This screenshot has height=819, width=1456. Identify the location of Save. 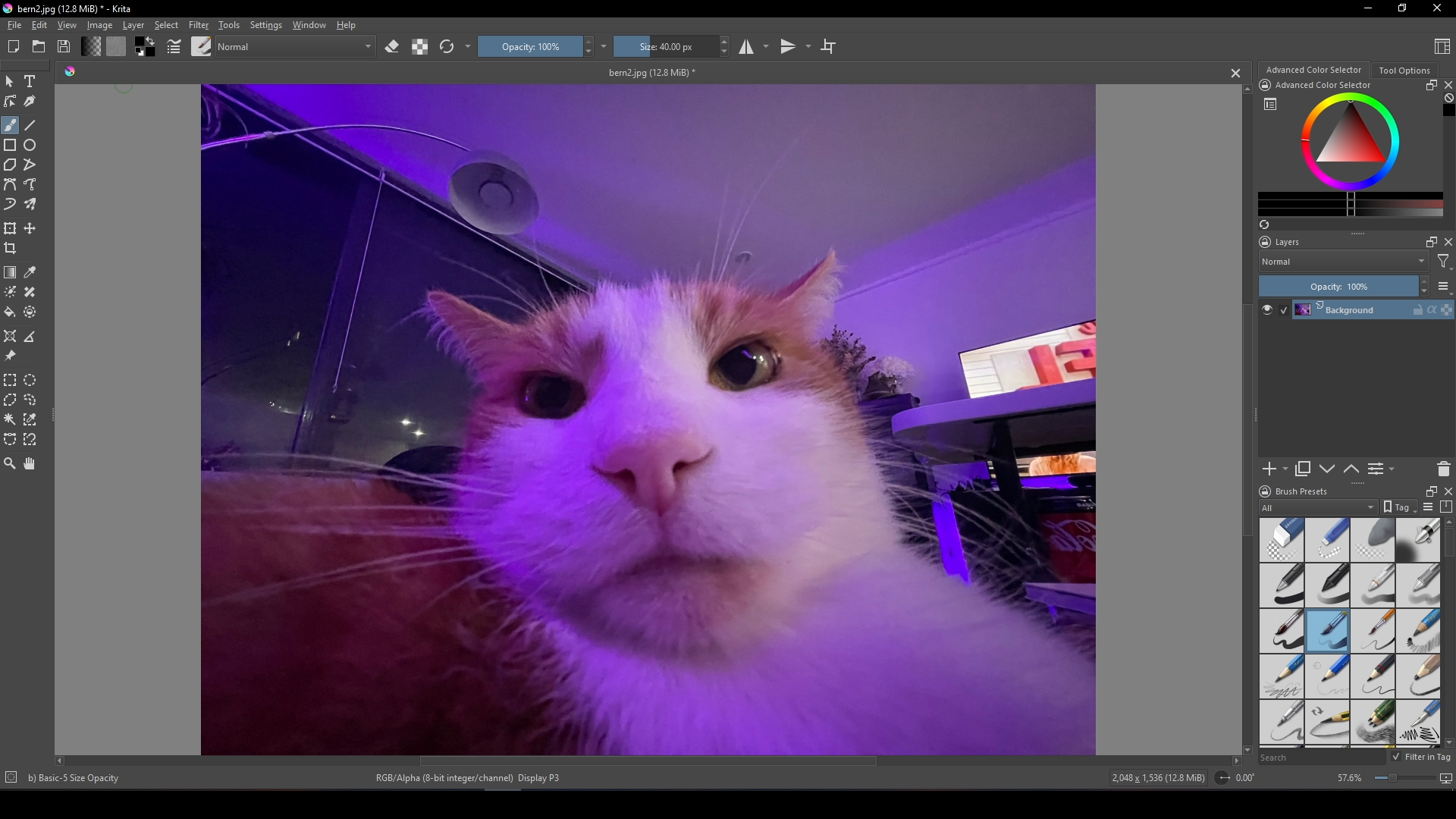
(64, 45).